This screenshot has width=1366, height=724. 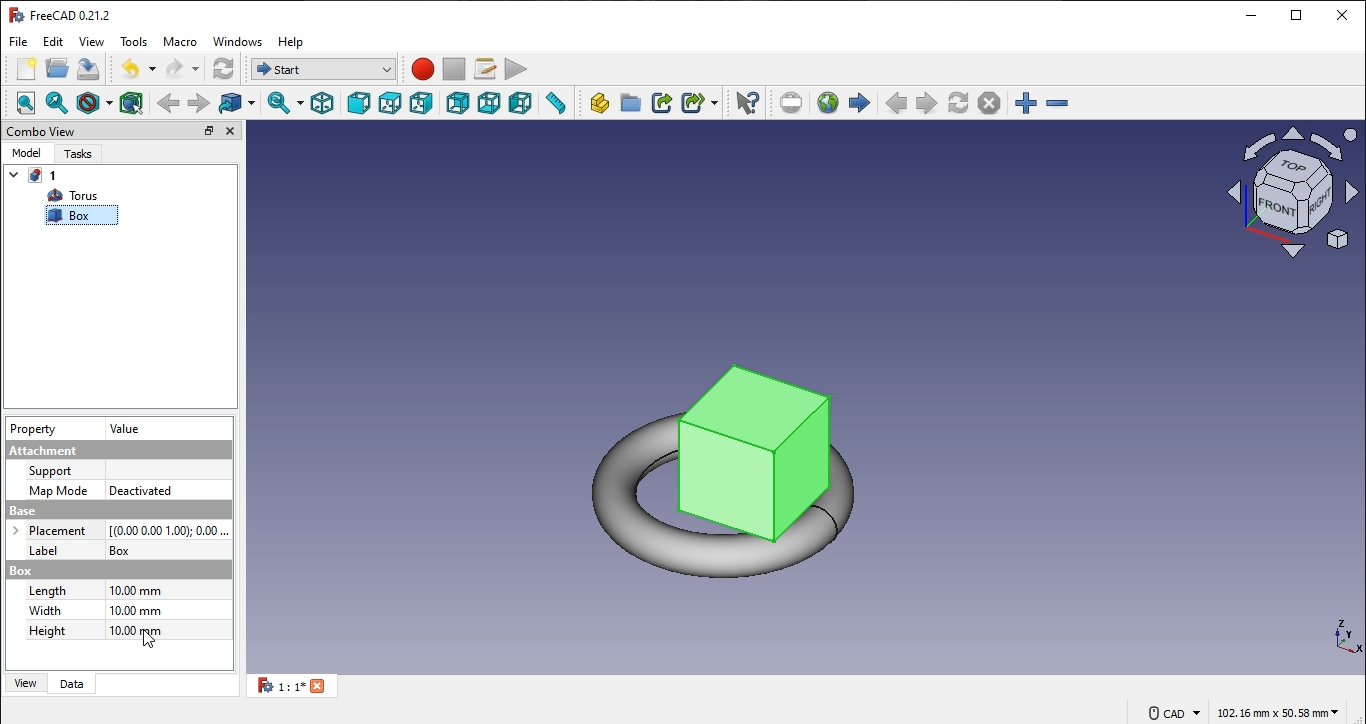 What do you see at coordinates (151, 639) in the screenshot?
I see `navigation` at bounding box center [151, 639].